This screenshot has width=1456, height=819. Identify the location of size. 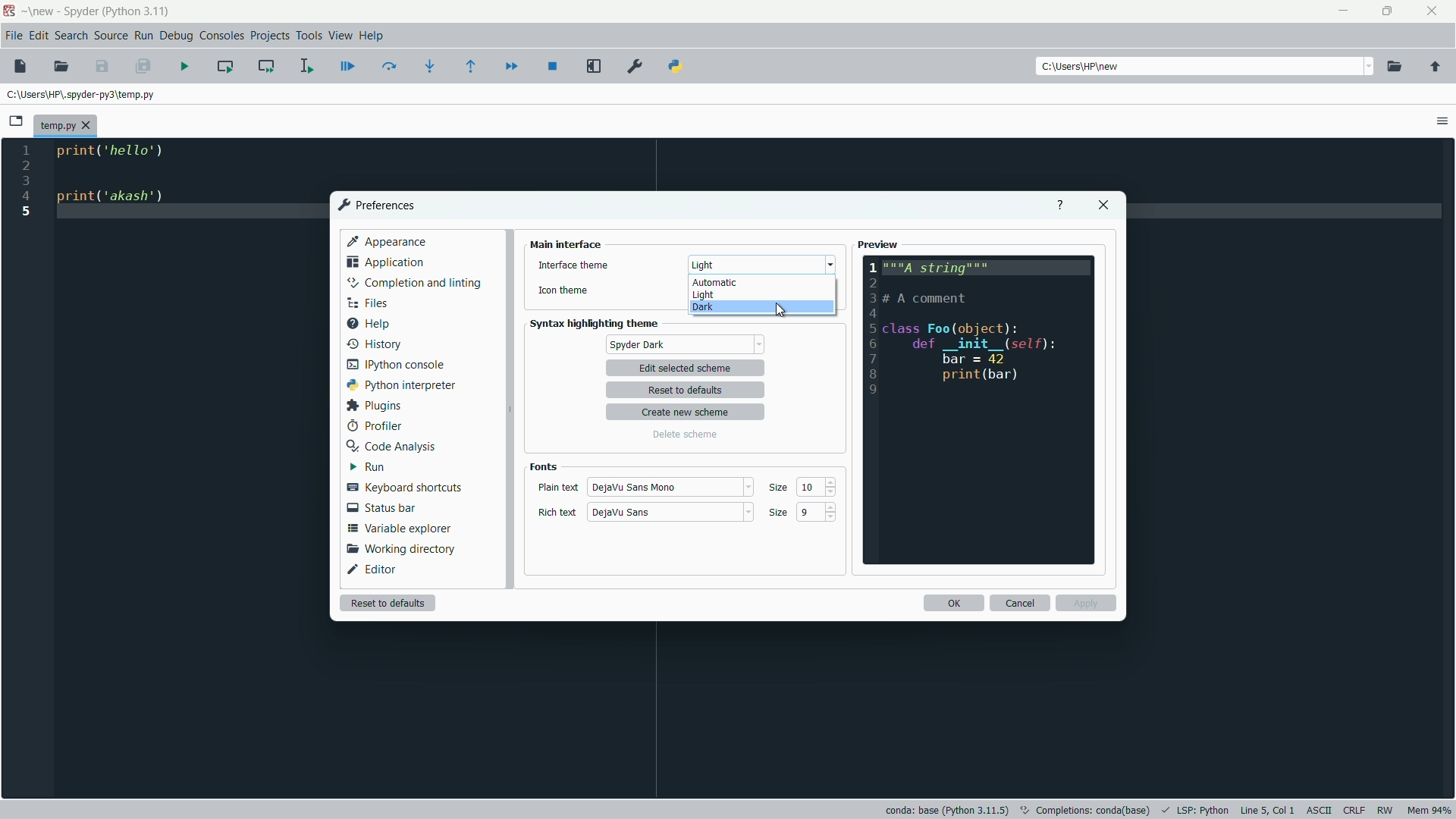
(780, 489).